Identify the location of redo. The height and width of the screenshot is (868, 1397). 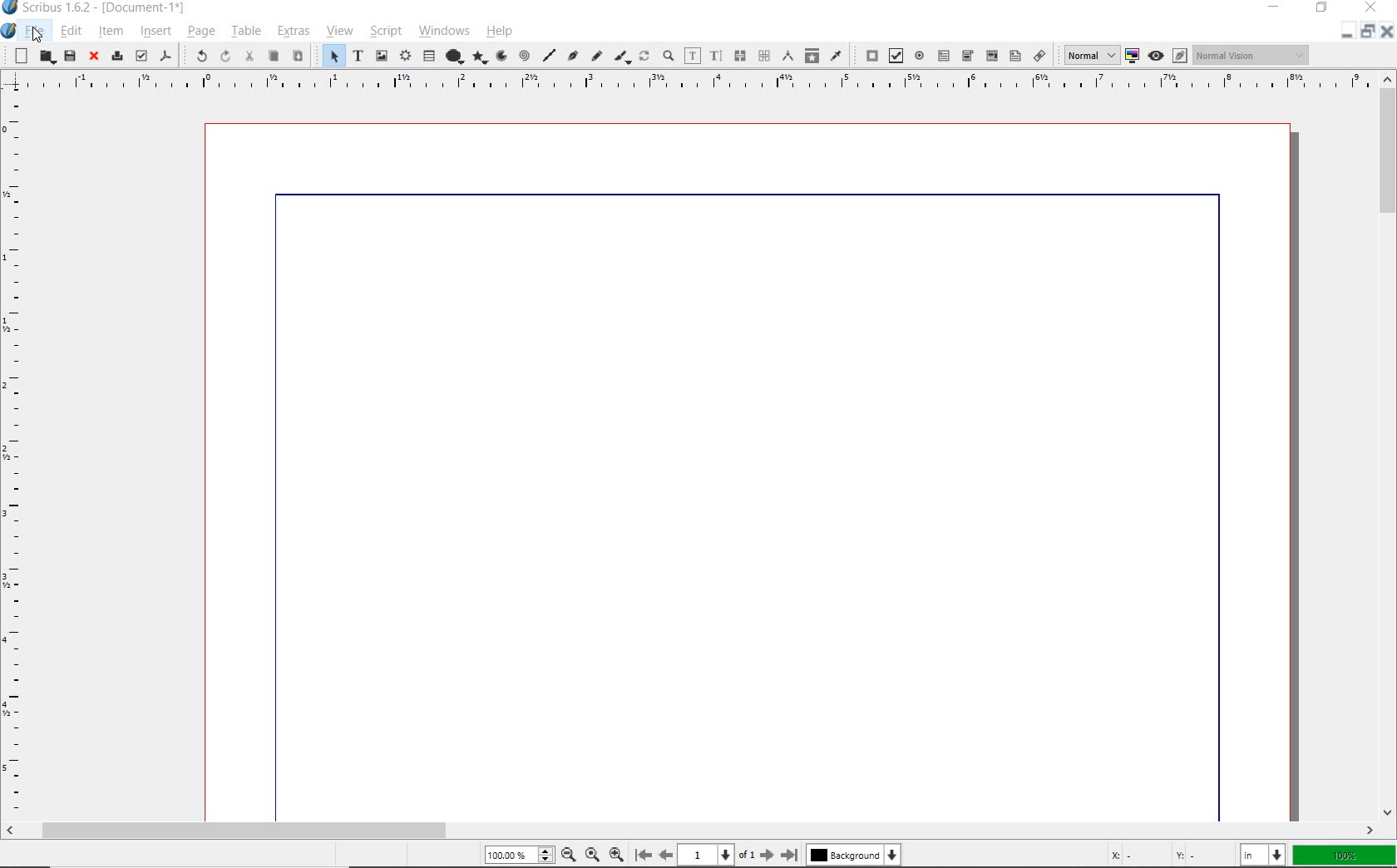
(225, 56).